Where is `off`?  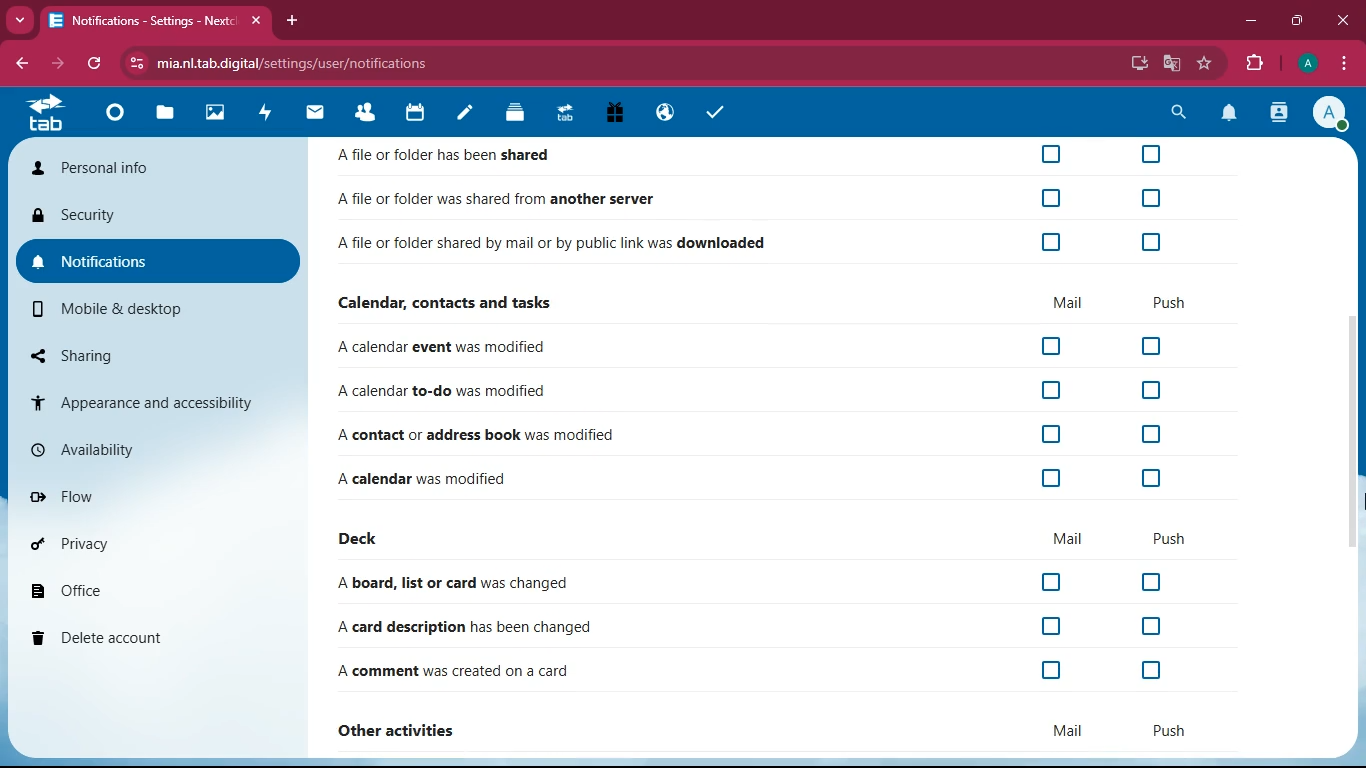 off is located at coordinates (1151, 154).